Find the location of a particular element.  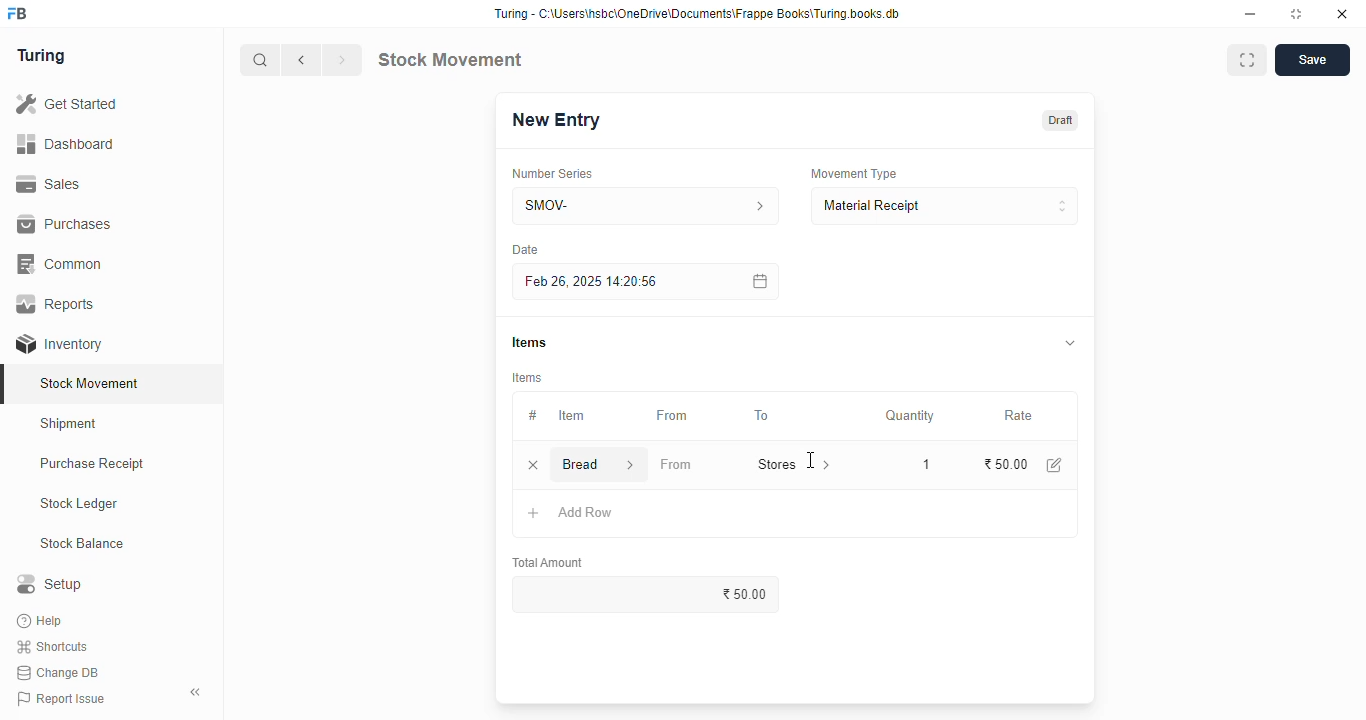

from is located at coordinates (676, 464).